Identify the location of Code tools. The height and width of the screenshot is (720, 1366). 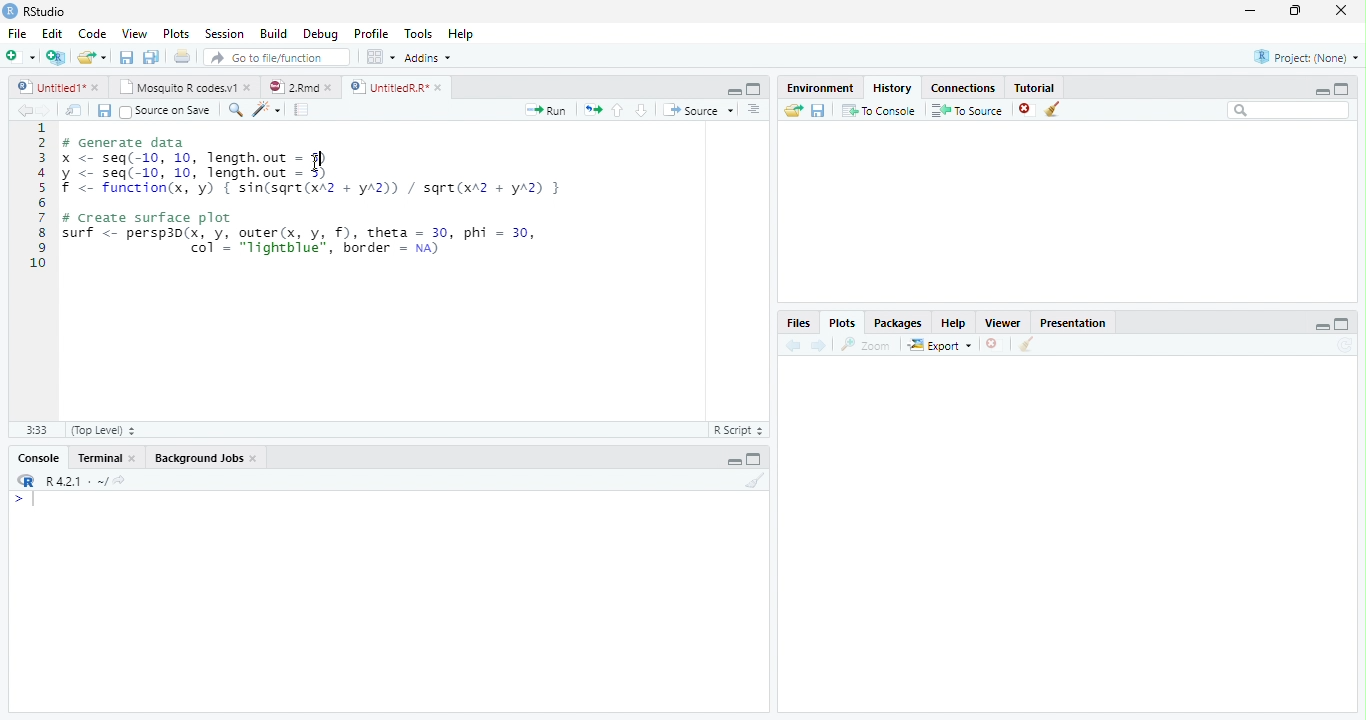
(267, 109).